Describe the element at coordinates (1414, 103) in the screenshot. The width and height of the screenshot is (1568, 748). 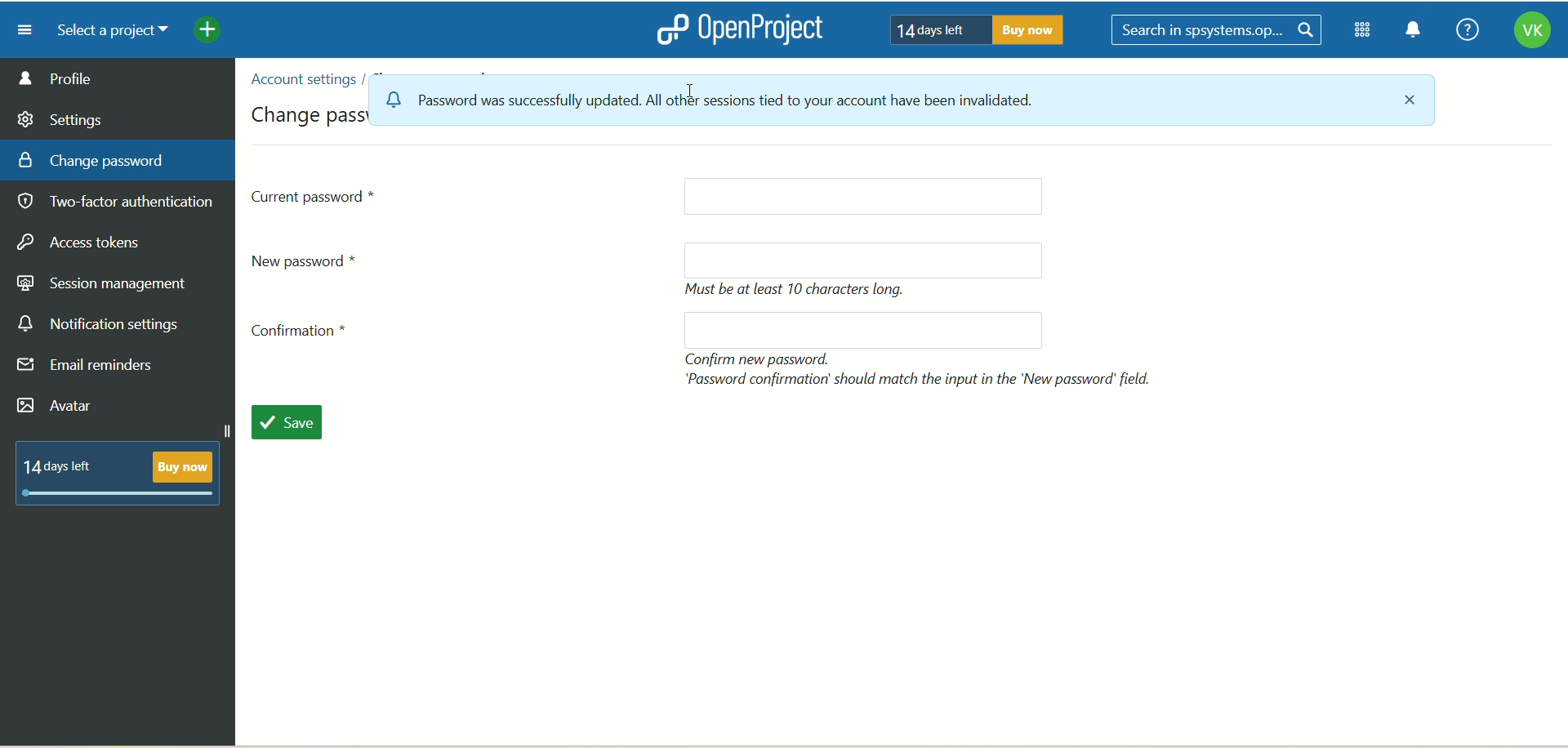
I see `close` at that location.